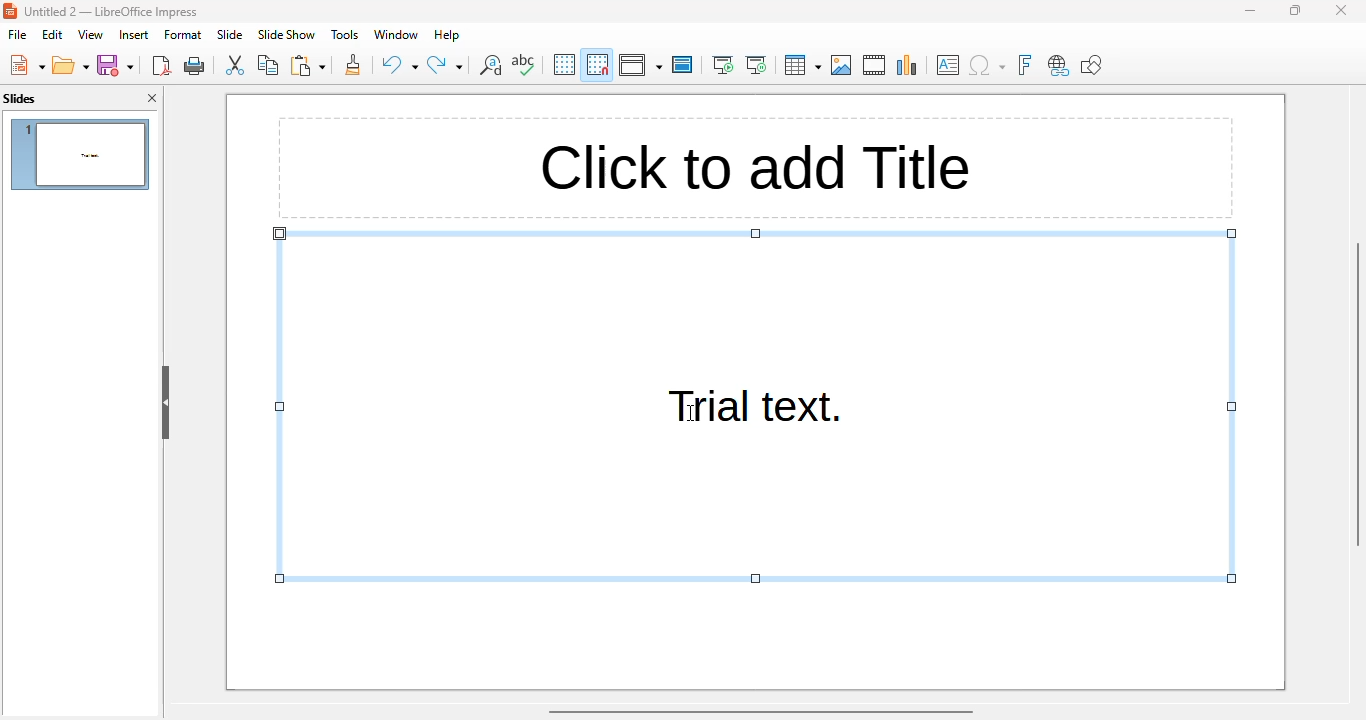 This screenshot has height=720, width=1366. I want to click on tools, so click(344, 34).